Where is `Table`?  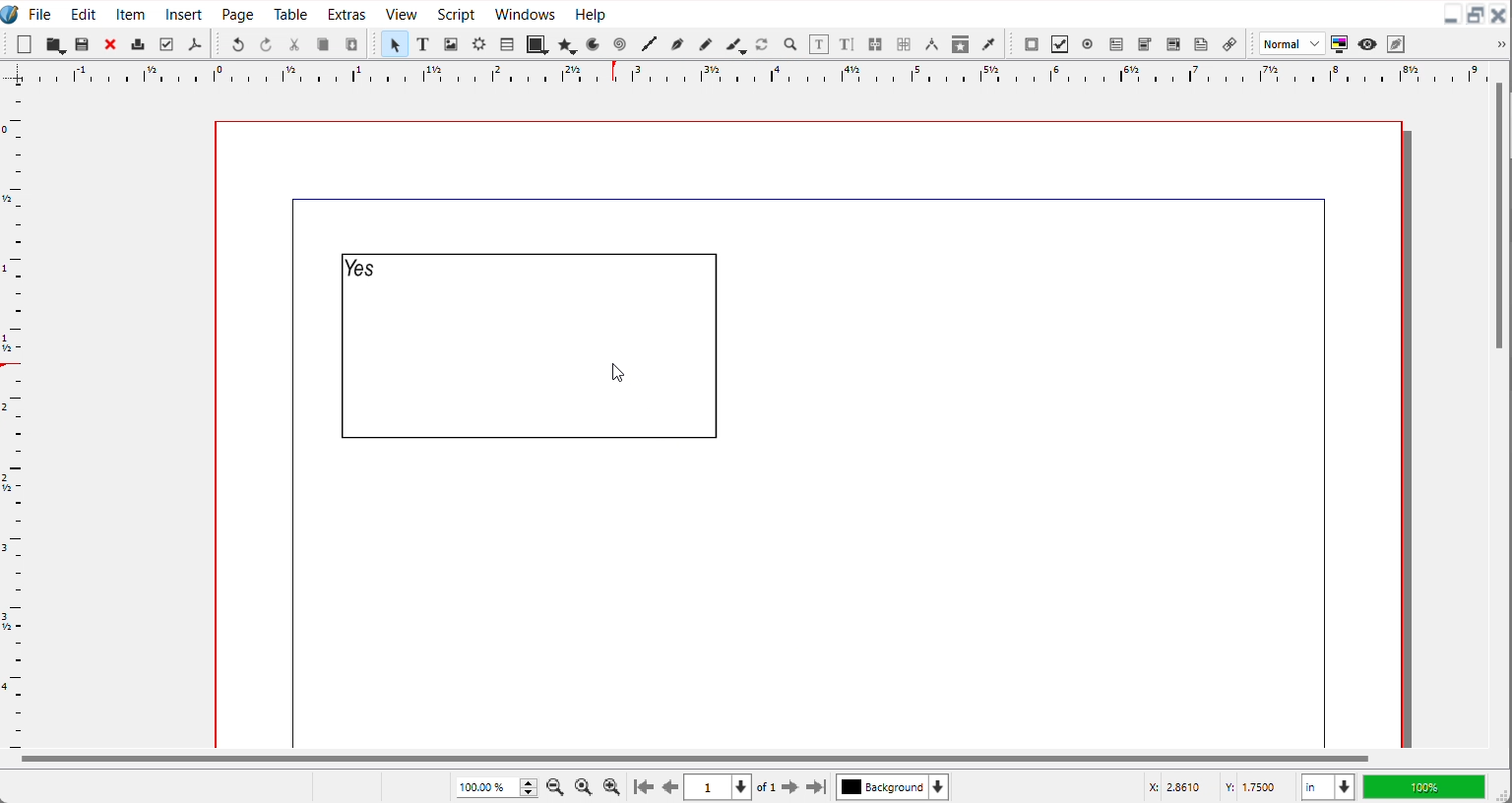 Table is located at coordinates (291, 13).